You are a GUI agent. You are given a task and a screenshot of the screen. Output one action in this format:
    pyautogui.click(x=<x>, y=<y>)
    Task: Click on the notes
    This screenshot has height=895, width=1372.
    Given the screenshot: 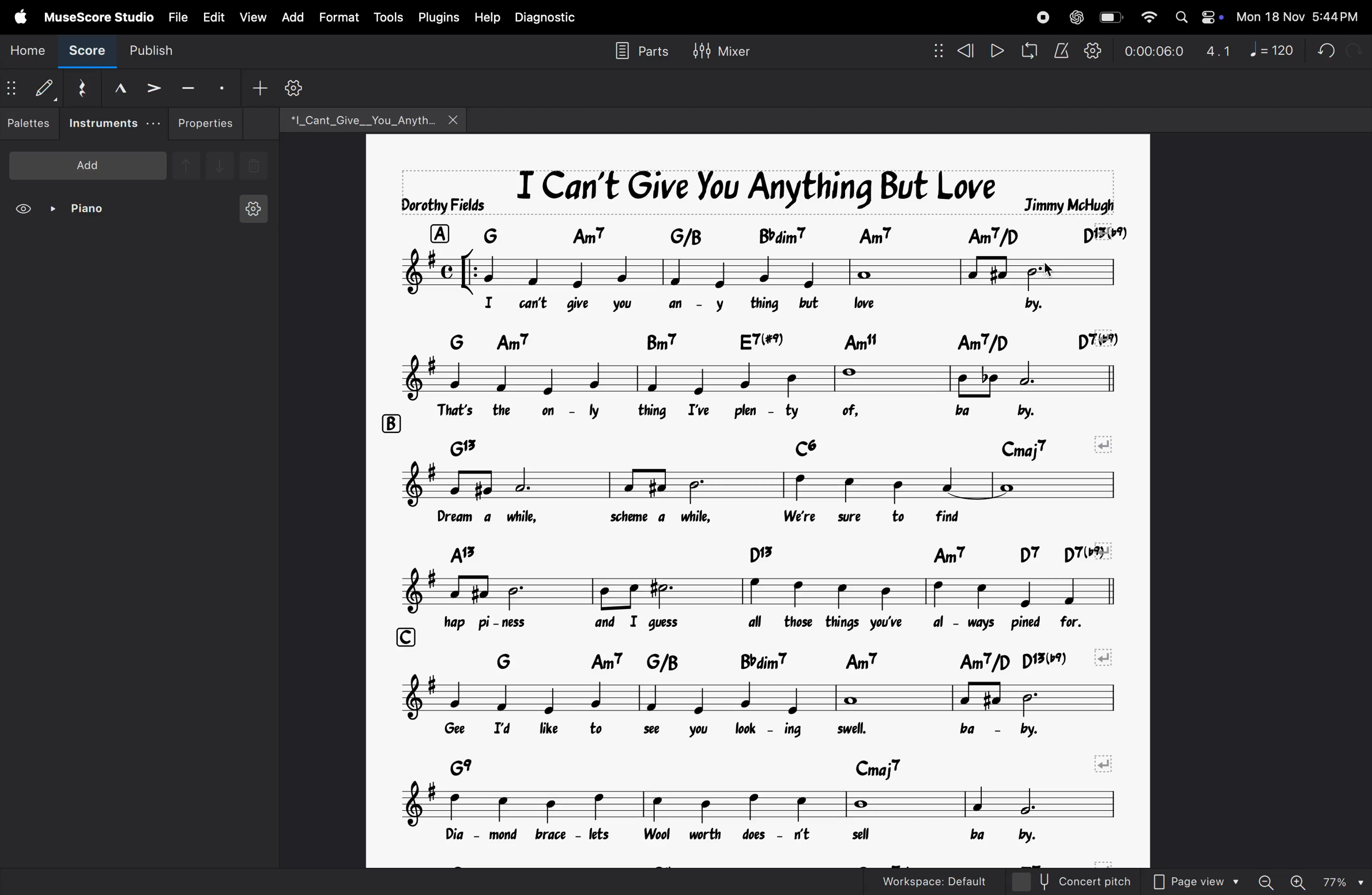 What is the action you would take?
    pyautogui.click(x=777, y=271)
    